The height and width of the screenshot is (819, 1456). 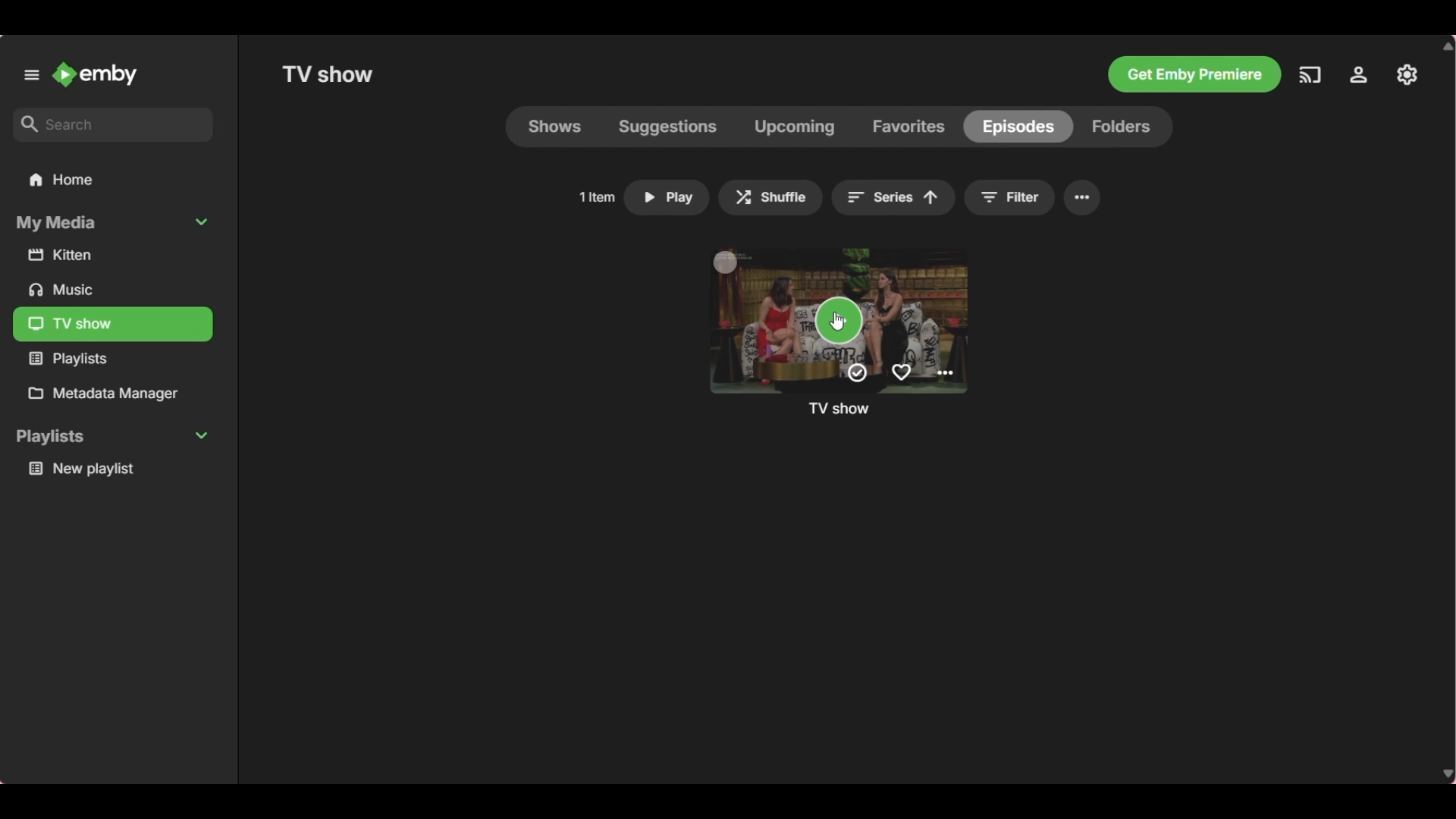 I want to click on Settings, so click(x=1358, y=74).